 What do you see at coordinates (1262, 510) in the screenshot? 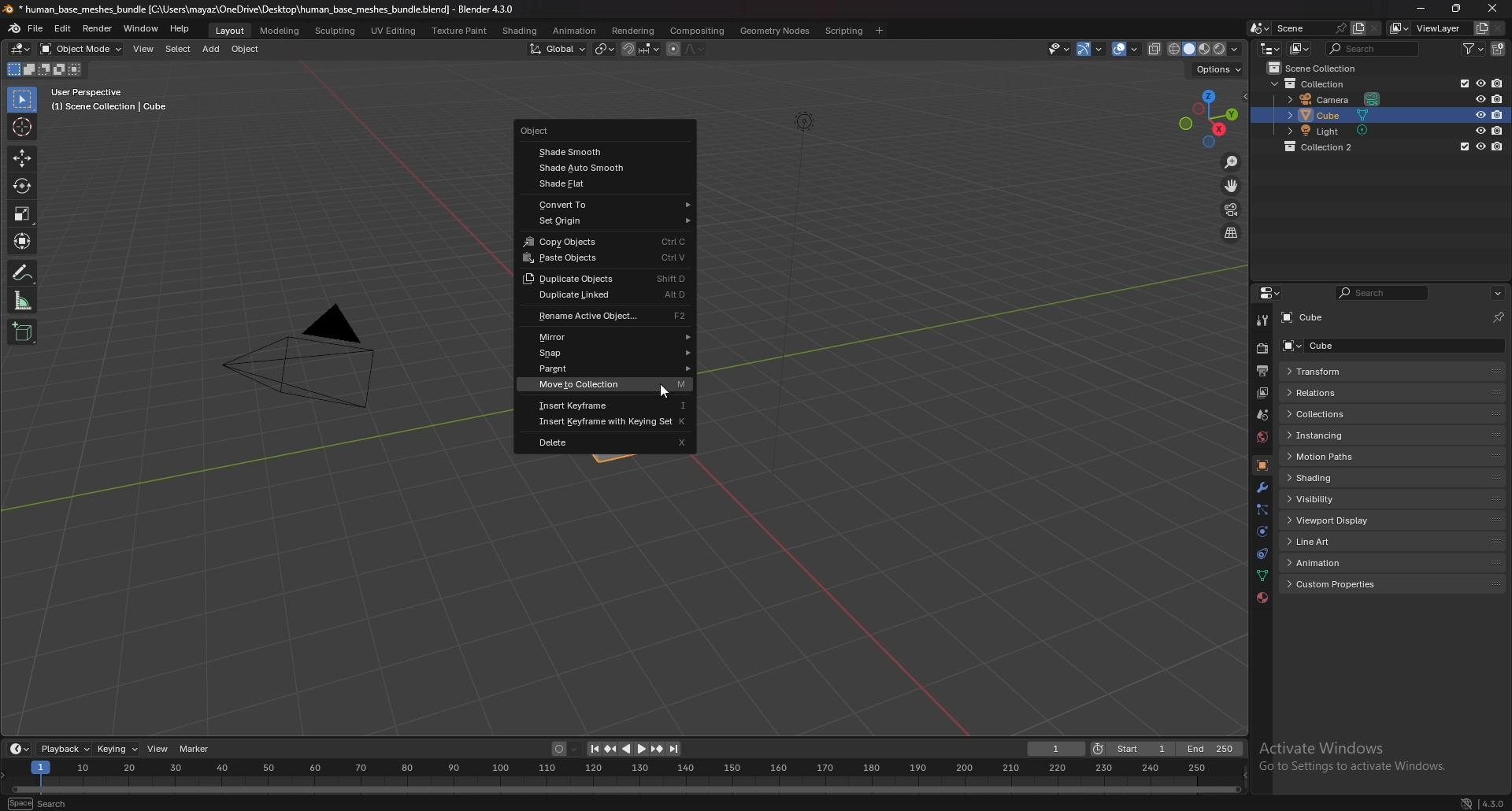
I see `particles` at bounding box center [1262, 510].